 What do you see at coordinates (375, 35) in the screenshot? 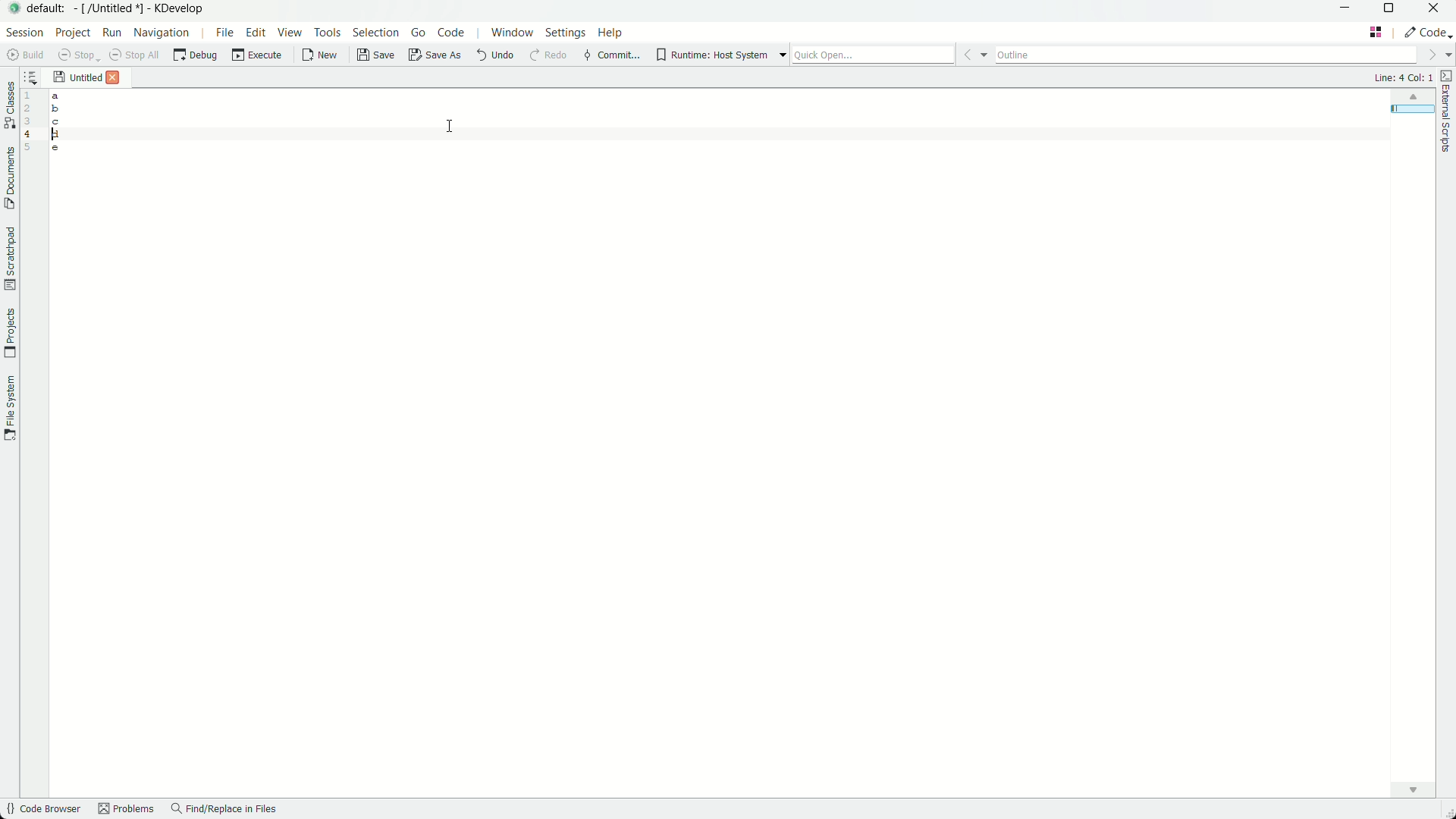
I see `selection` at bounding box center [375, 35].